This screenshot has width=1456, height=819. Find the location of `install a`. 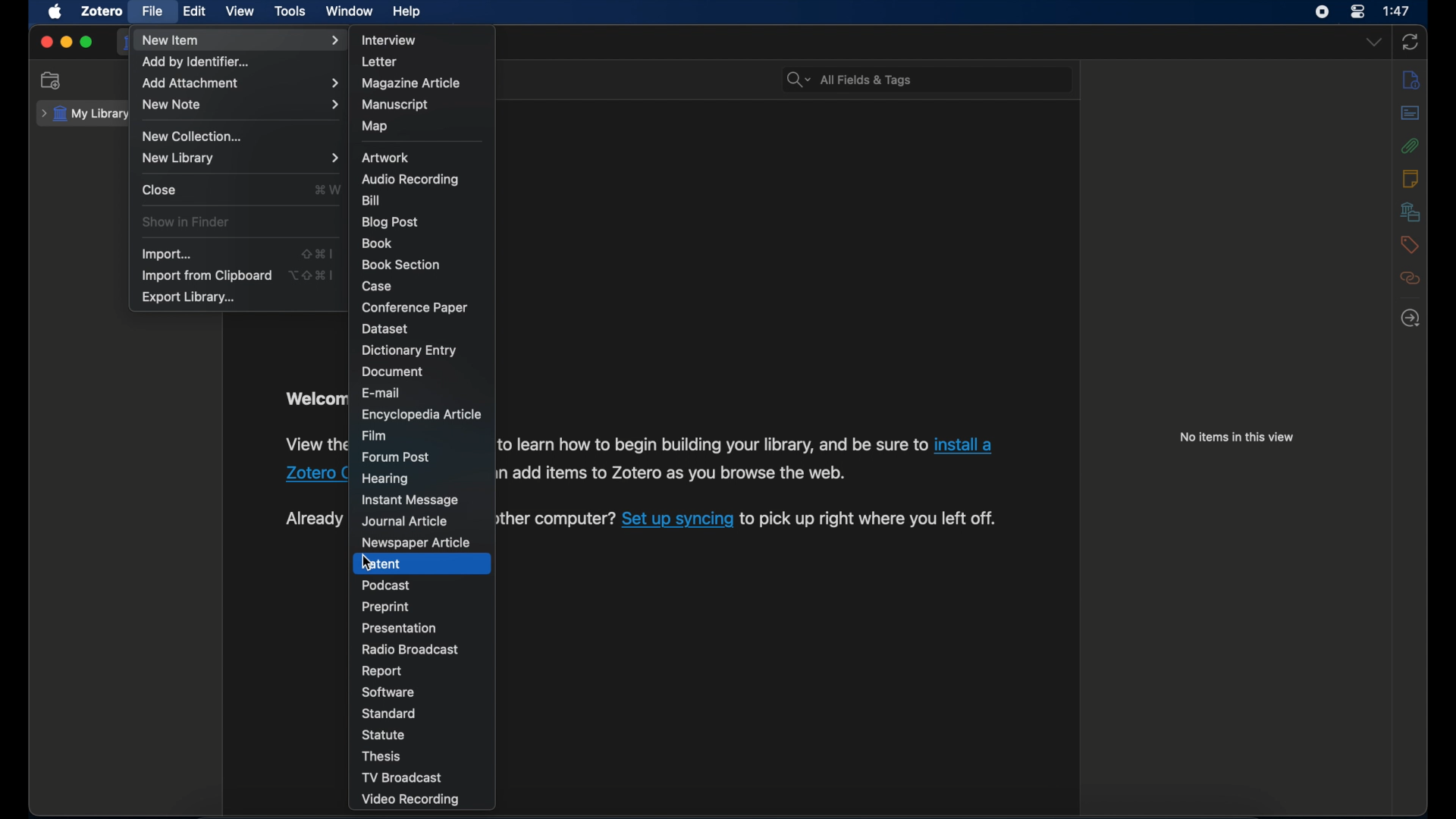

install a is located at coordinates (966, 442).